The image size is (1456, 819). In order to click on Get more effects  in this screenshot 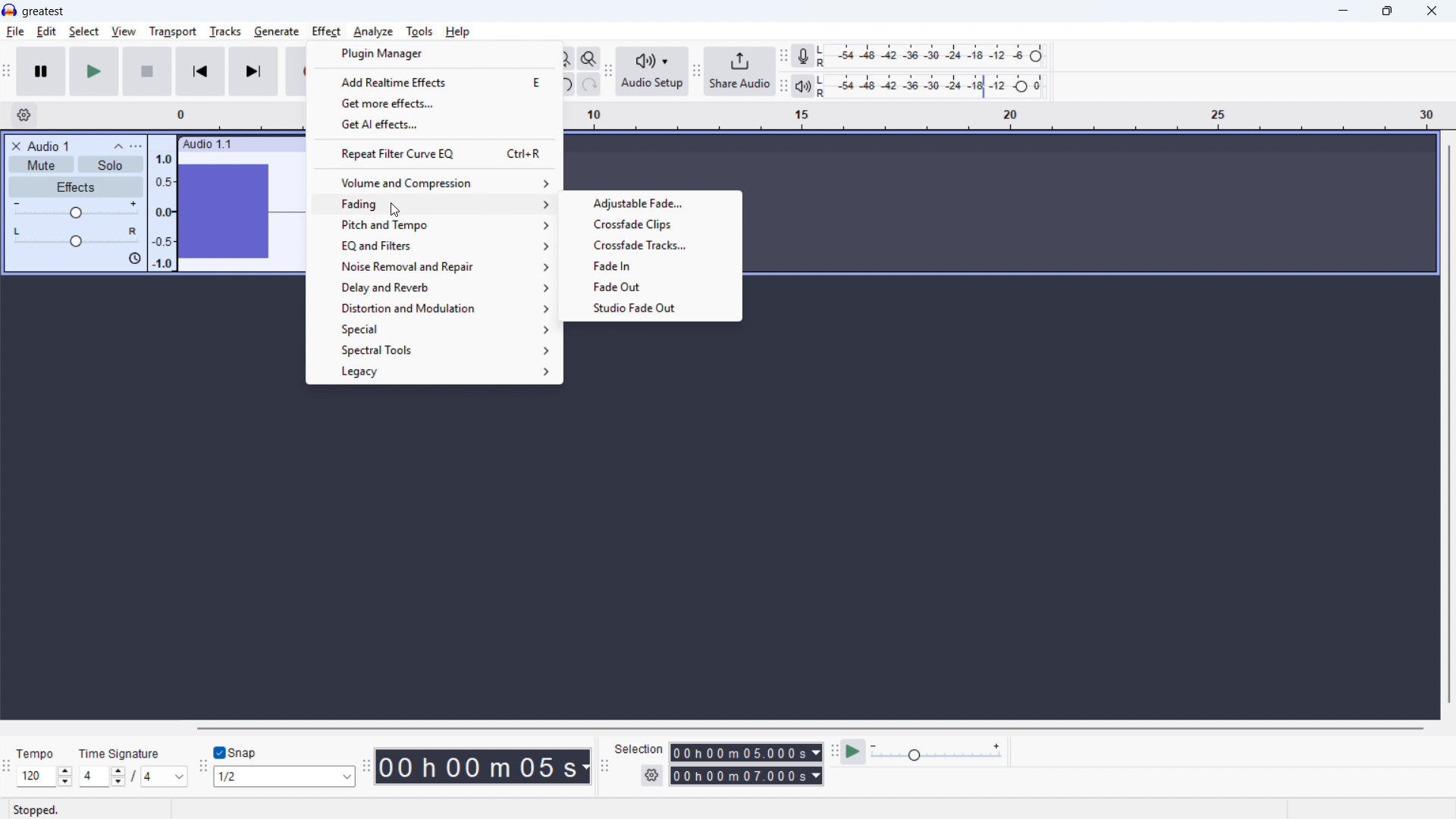, I will do `click(434, 103)`.